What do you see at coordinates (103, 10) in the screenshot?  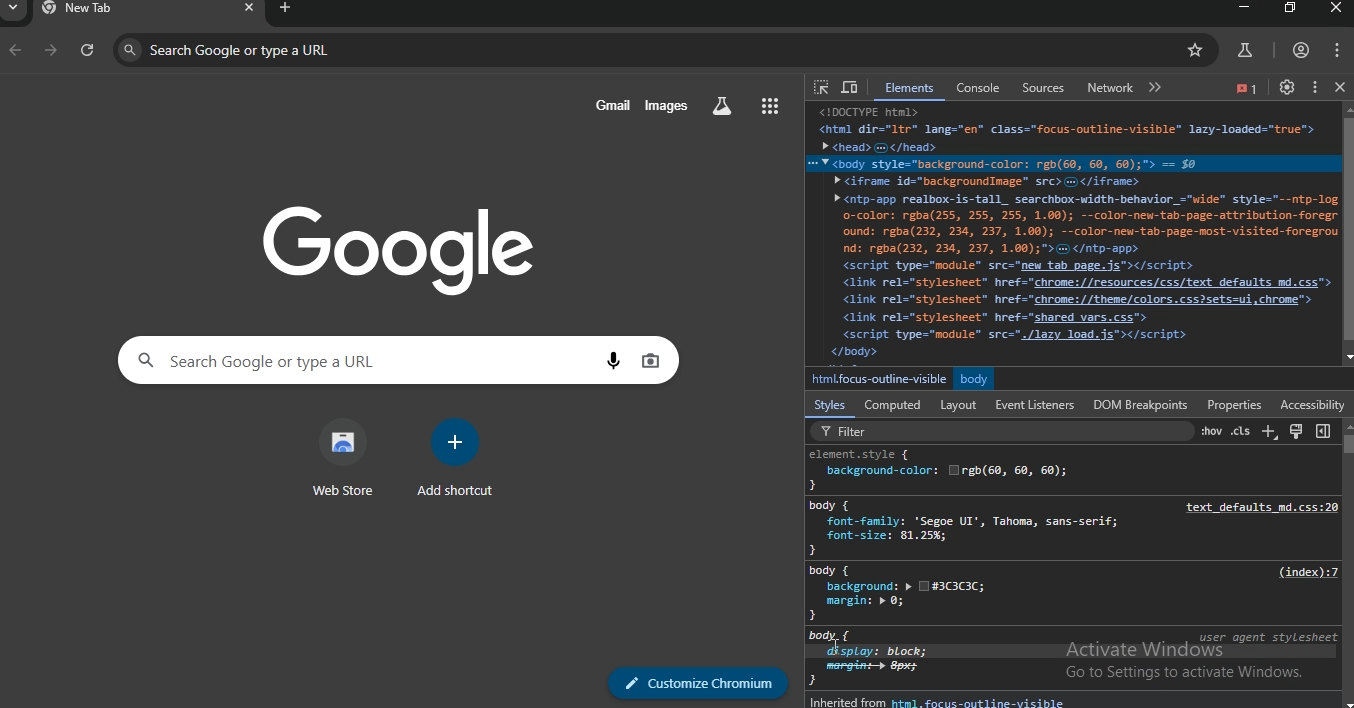 I see `new tab` at bounding box center [103, 10].